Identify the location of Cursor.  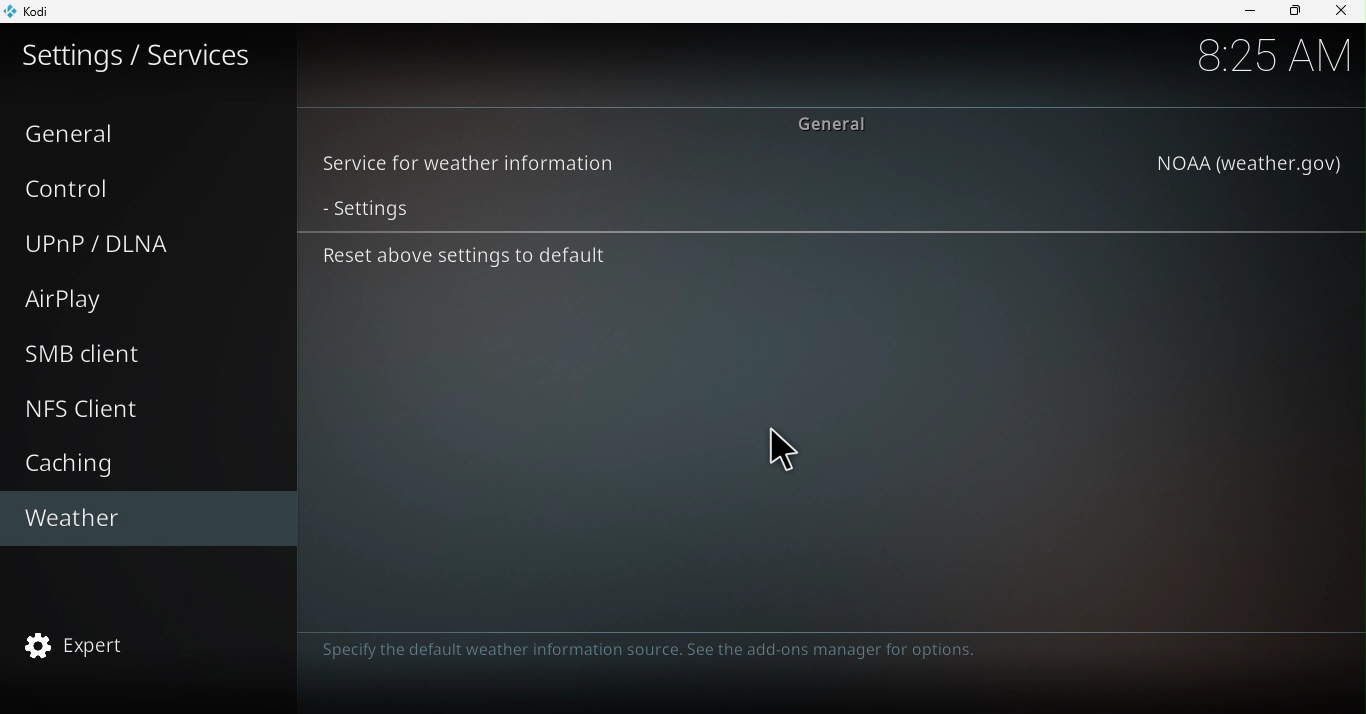
(783, 454).